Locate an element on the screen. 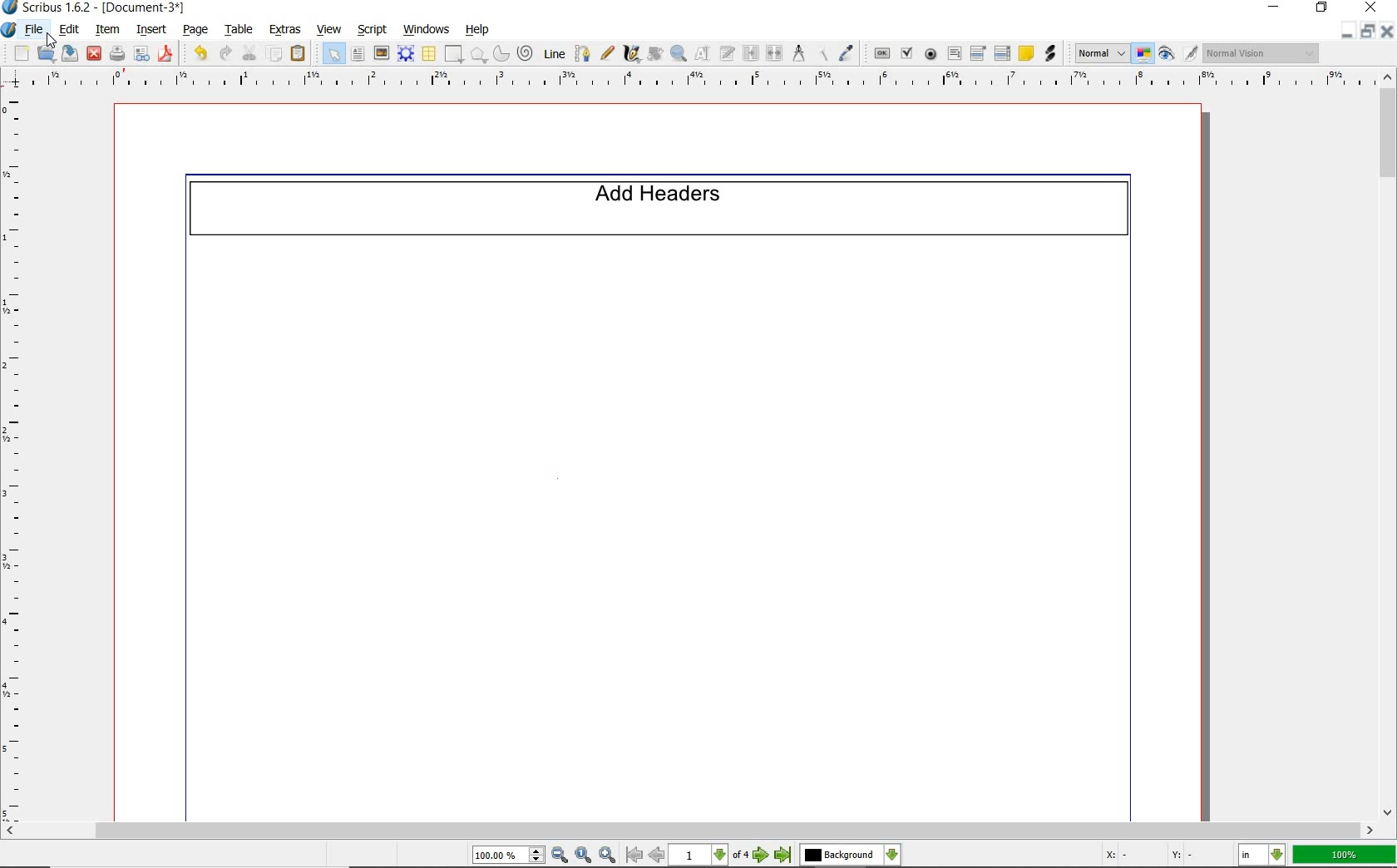 The width and height of the screenshot is (1397, 868). page is located at coordinates (195, 31).